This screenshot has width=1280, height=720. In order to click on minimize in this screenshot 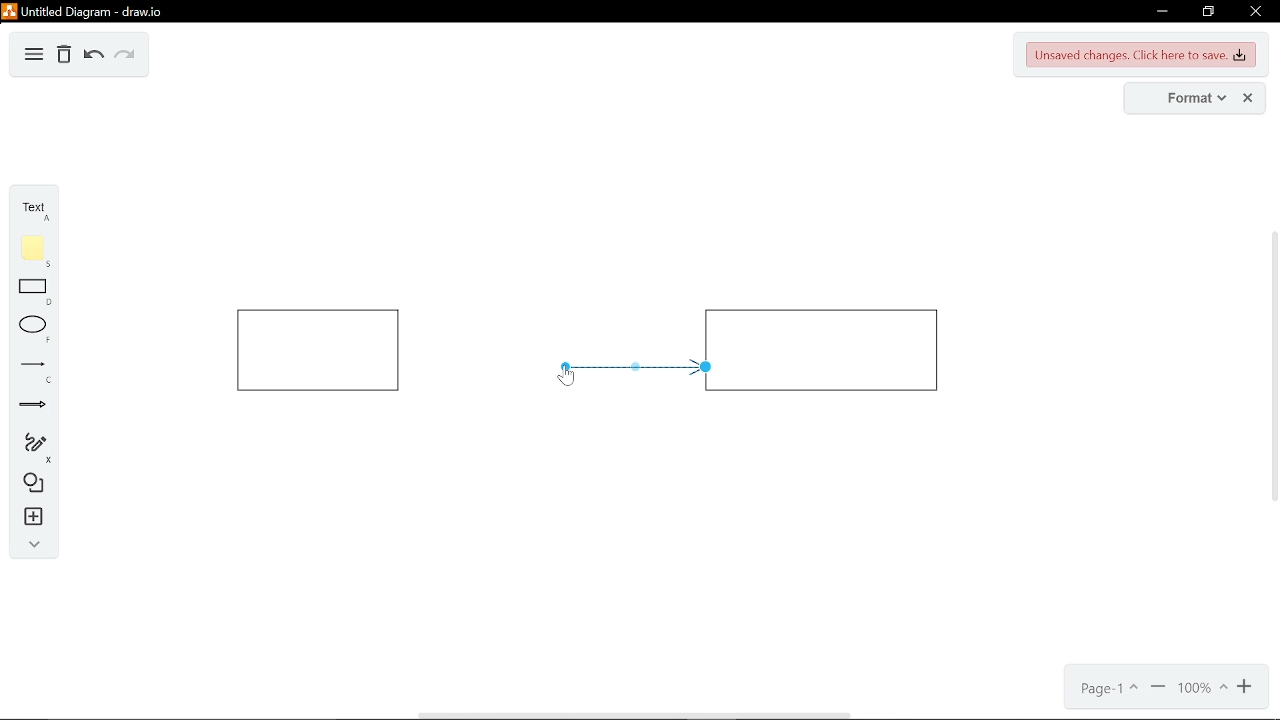, I will do `click(1165, 11)`.